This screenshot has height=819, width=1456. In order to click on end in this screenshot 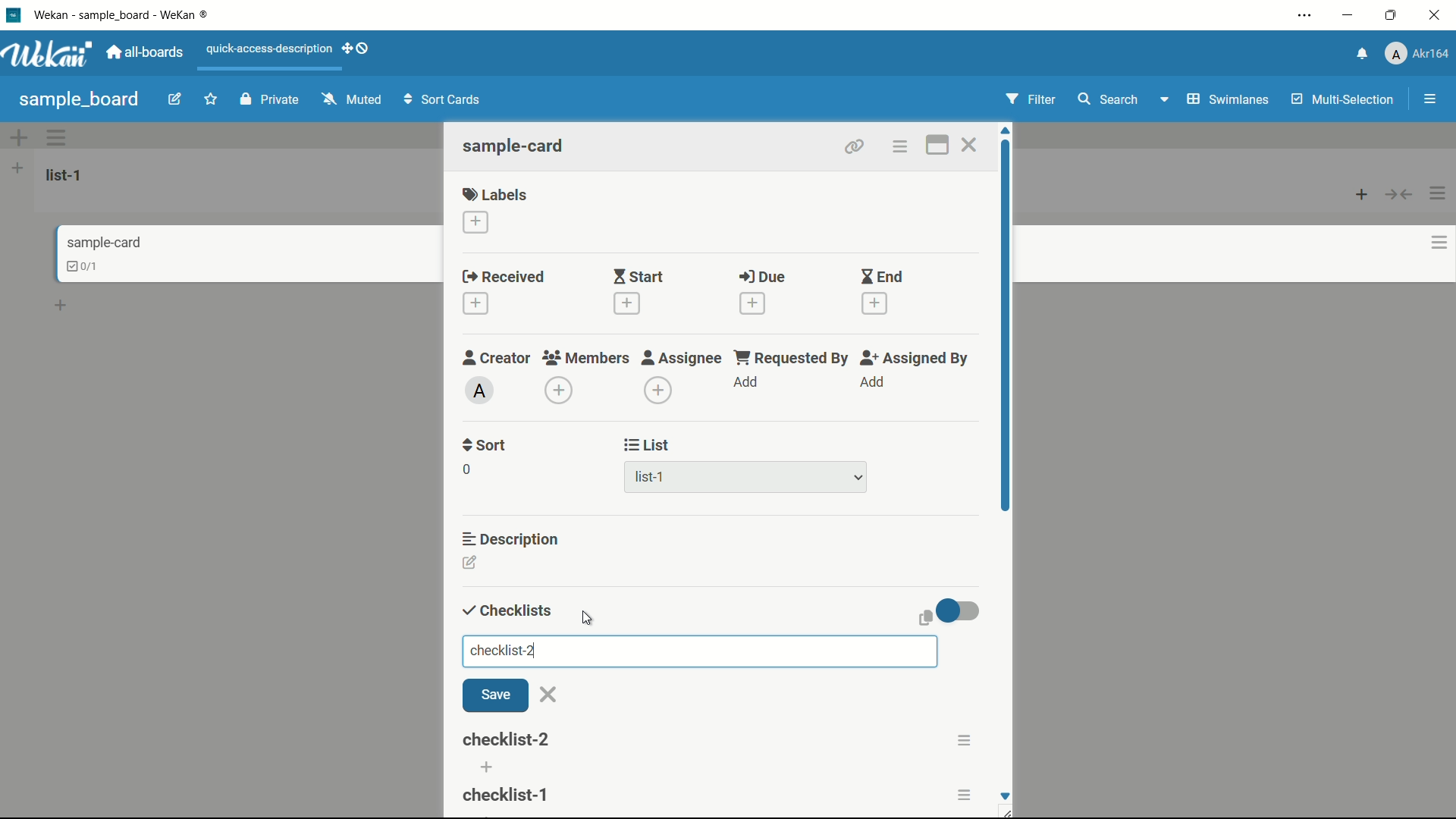, I will do `click(881, 278)`.